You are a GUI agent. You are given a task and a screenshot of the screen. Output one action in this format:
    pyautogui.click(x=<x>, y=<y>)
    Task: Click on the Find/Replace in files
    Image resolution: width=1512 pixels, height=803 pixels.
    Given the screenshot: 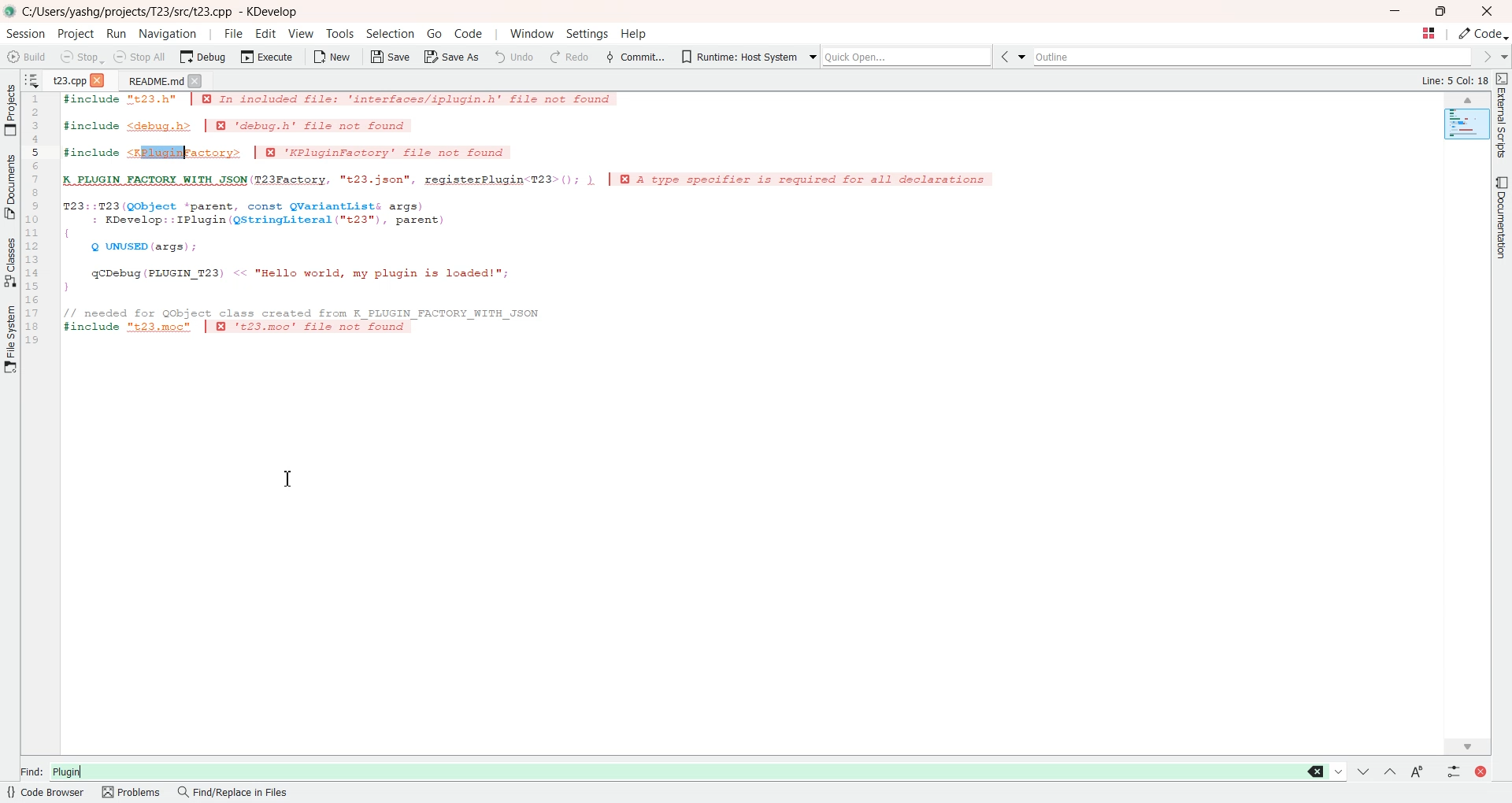 What is the action you would take?
    pyautogui.click(x=234, y=794)
    